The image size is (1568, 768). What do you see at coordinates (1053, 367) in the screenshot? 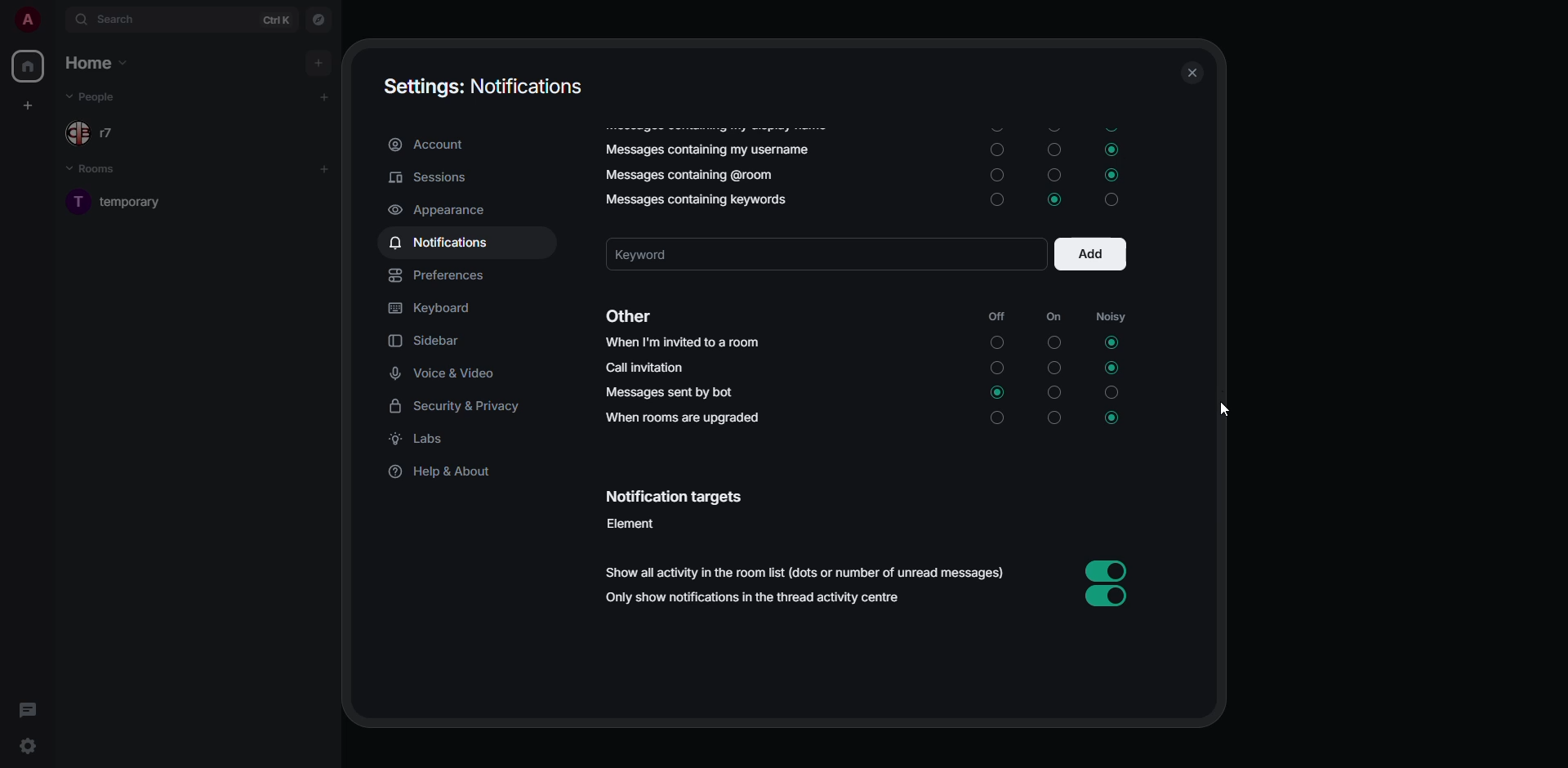
I see `off` at bounding box center [1053, 367].